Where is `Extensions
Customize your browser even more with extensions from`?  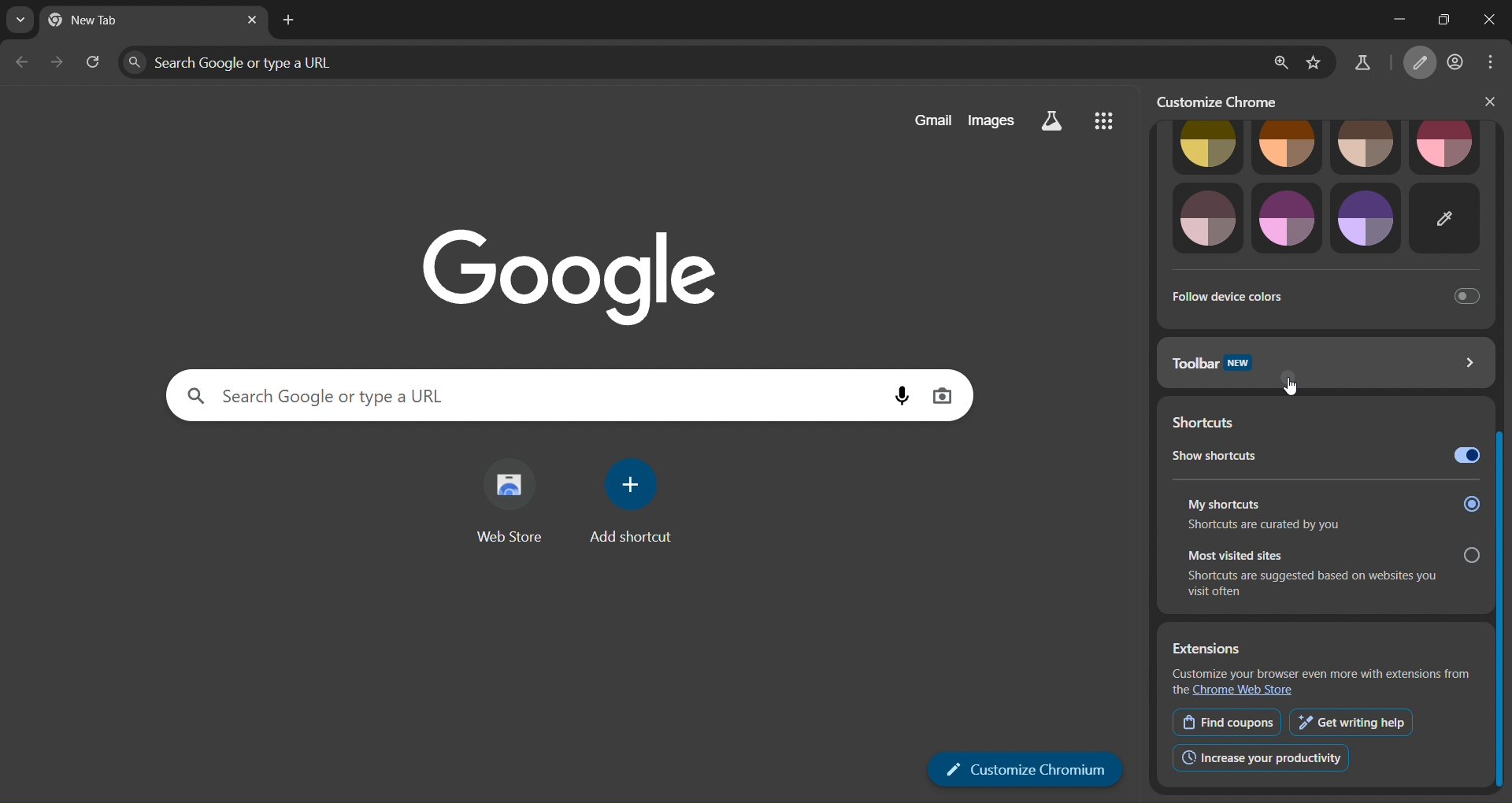
Extensions
Customize your browser even more with extensions from is located at coordinates (1324, 661).